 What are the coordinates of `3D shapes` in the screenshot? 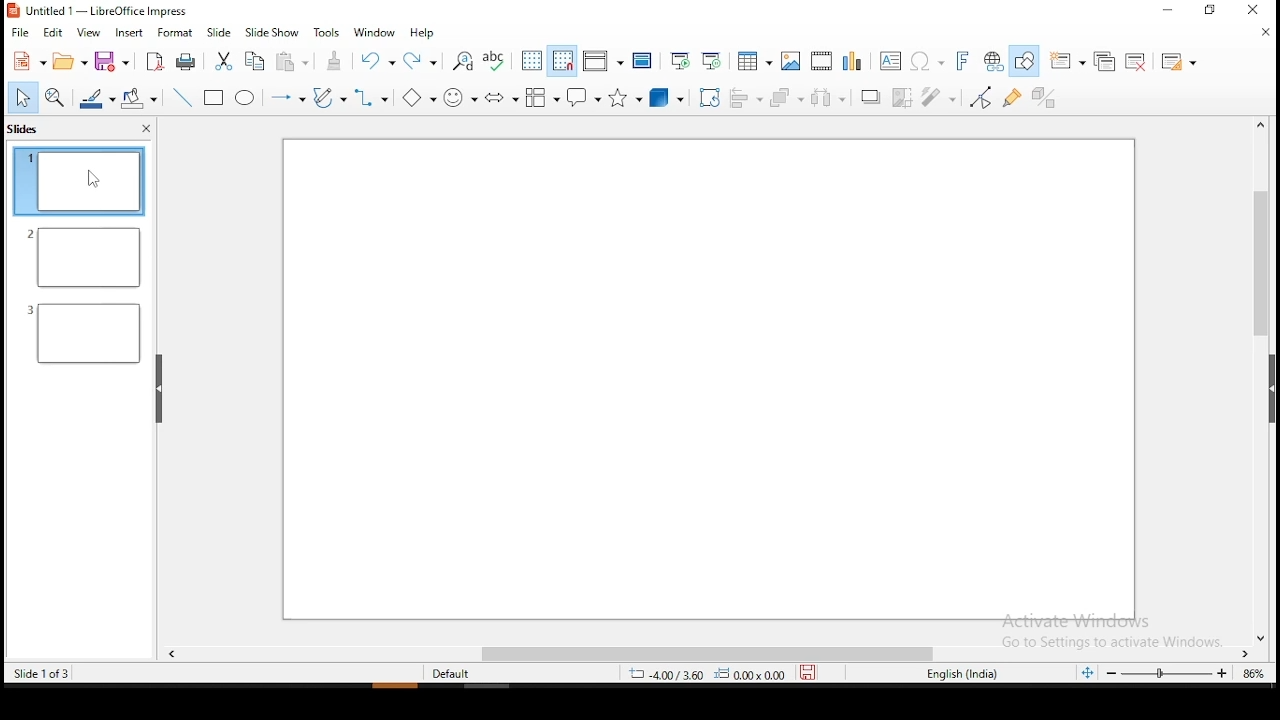 It's located at (671, 97).